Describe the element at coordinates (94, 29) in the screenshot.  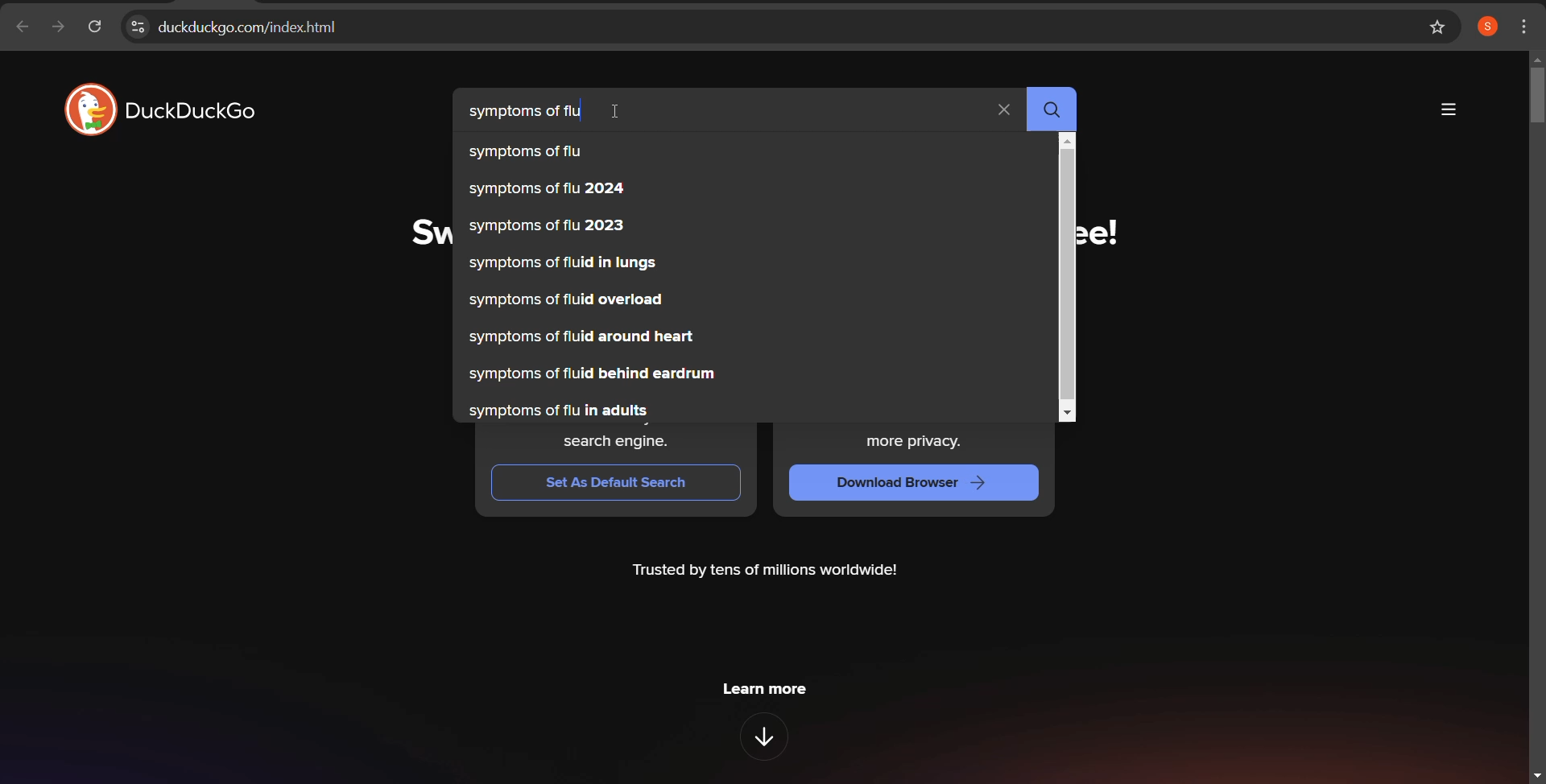
I see `reload` at that location.